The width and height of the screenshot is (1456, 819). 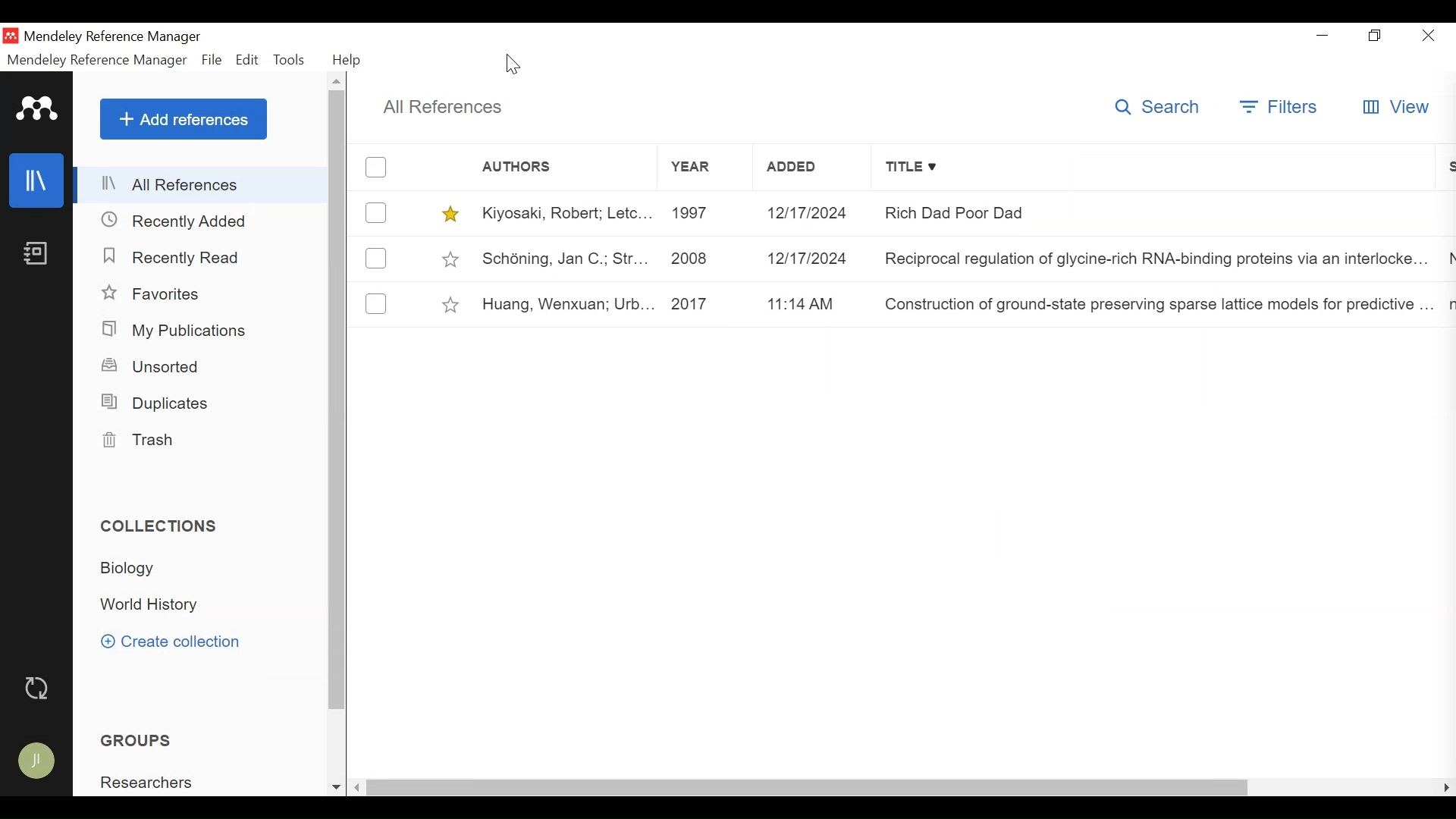 What do you see at coordinates (336, 402) in the screenshot?
I see `Vertical Scroll bar` at bounding box center [336, 402].